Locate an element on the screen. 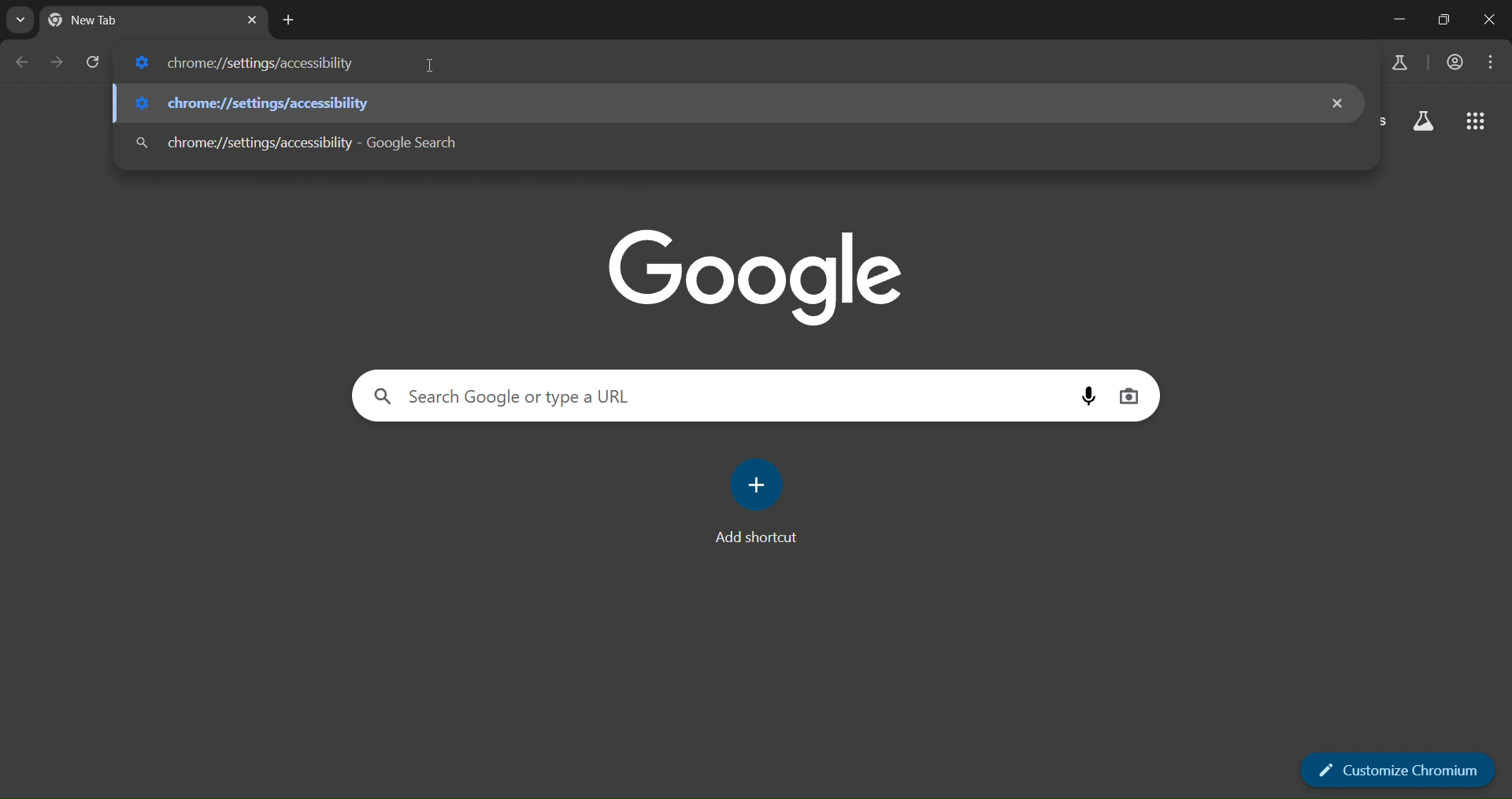 This screenshot has height=799, width=1512. search tabs is located at coordinates (17, 22).